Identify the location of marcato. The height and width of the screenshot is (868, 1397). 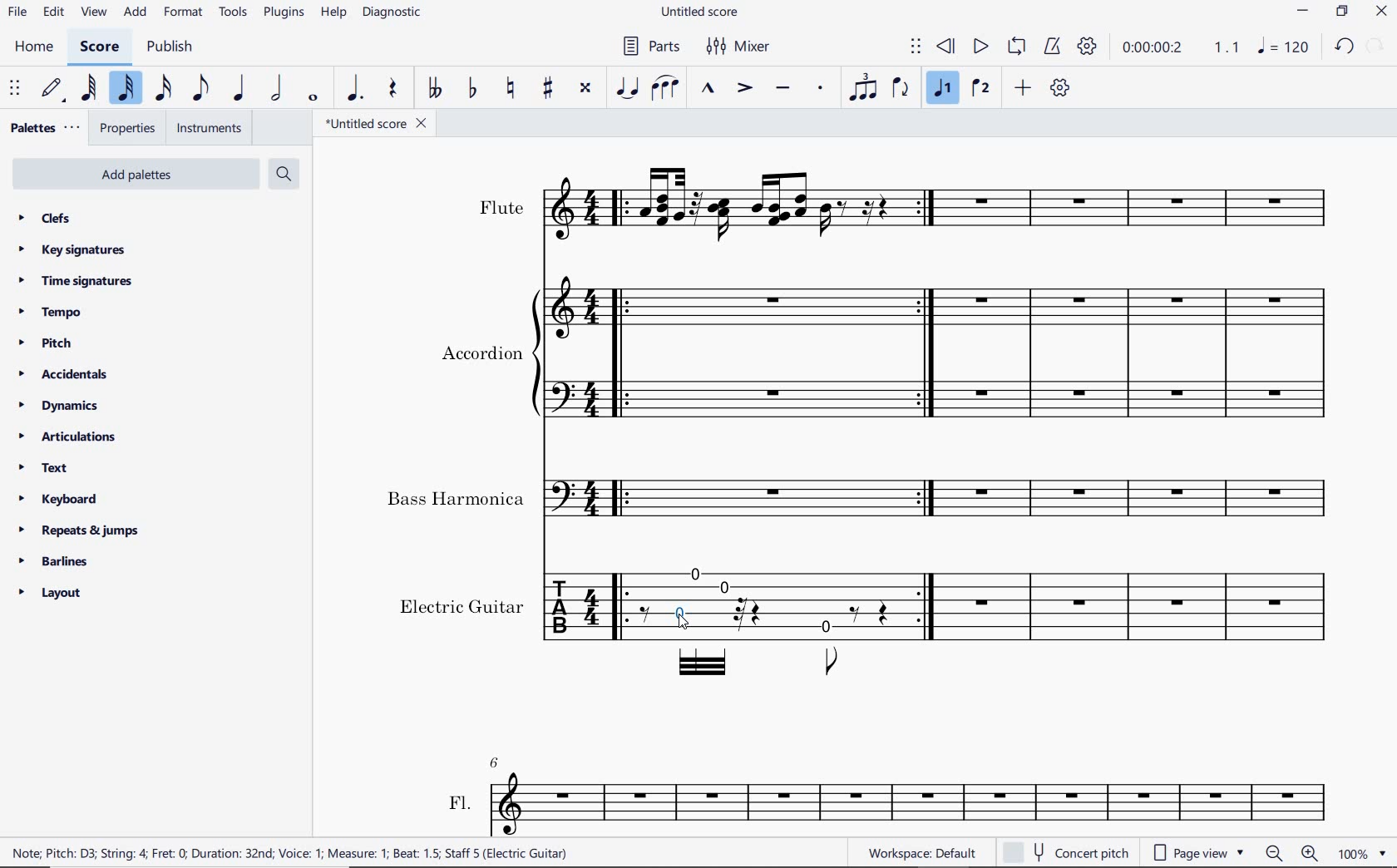
(710, 90).